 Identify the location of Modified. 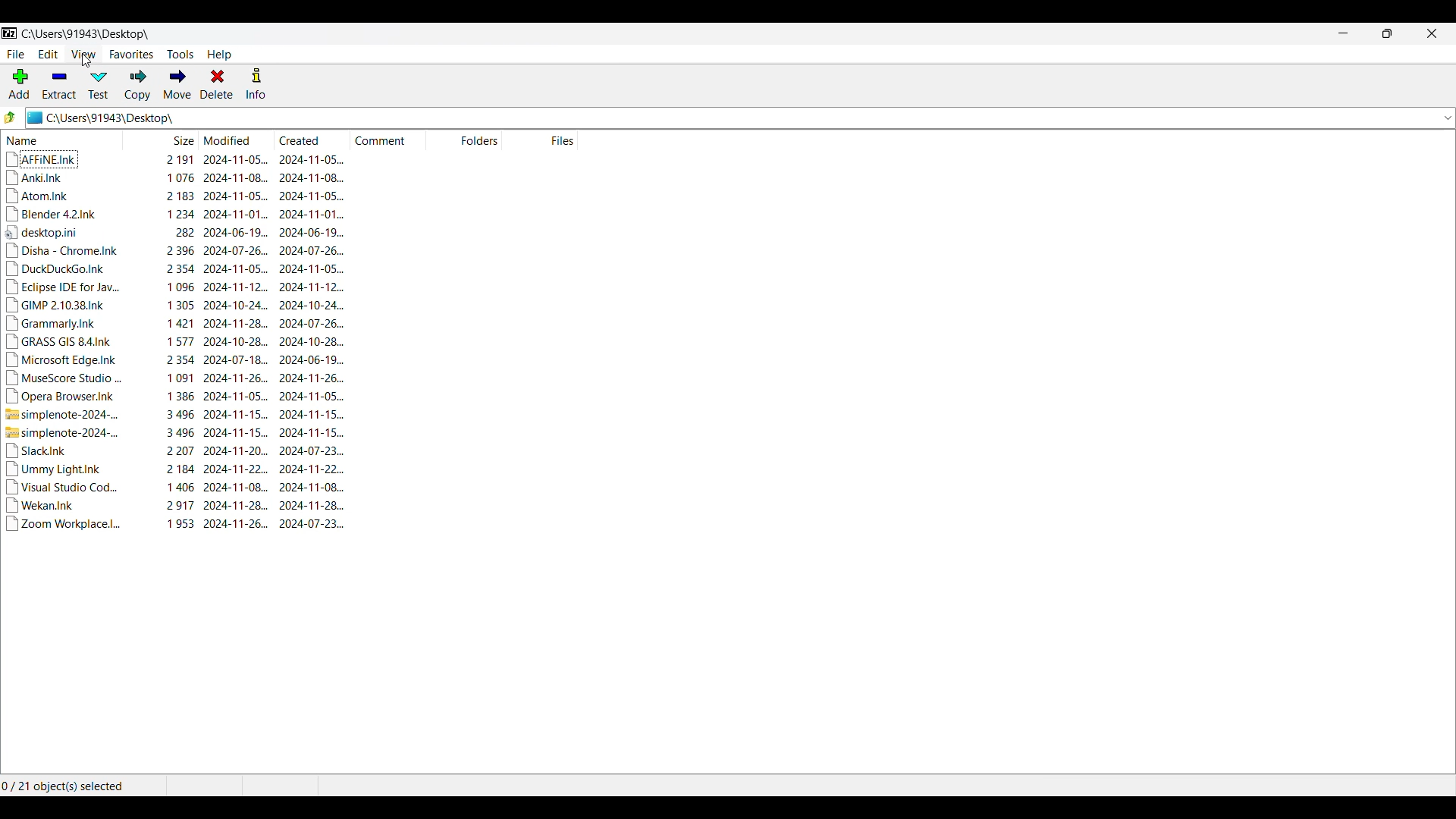
(233, 140).